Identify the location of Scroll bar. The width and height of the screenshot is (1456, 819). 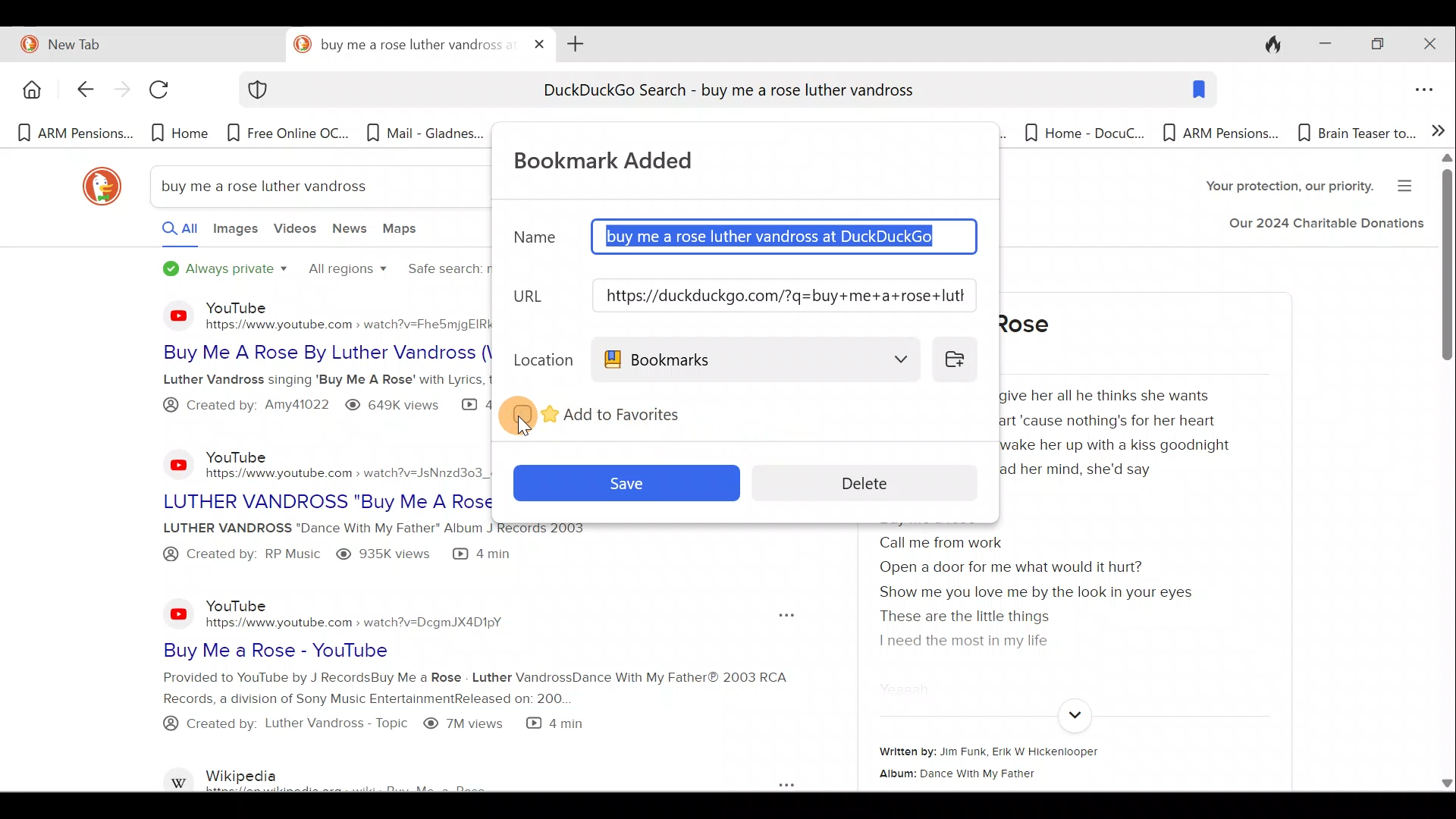
(1445, 473).